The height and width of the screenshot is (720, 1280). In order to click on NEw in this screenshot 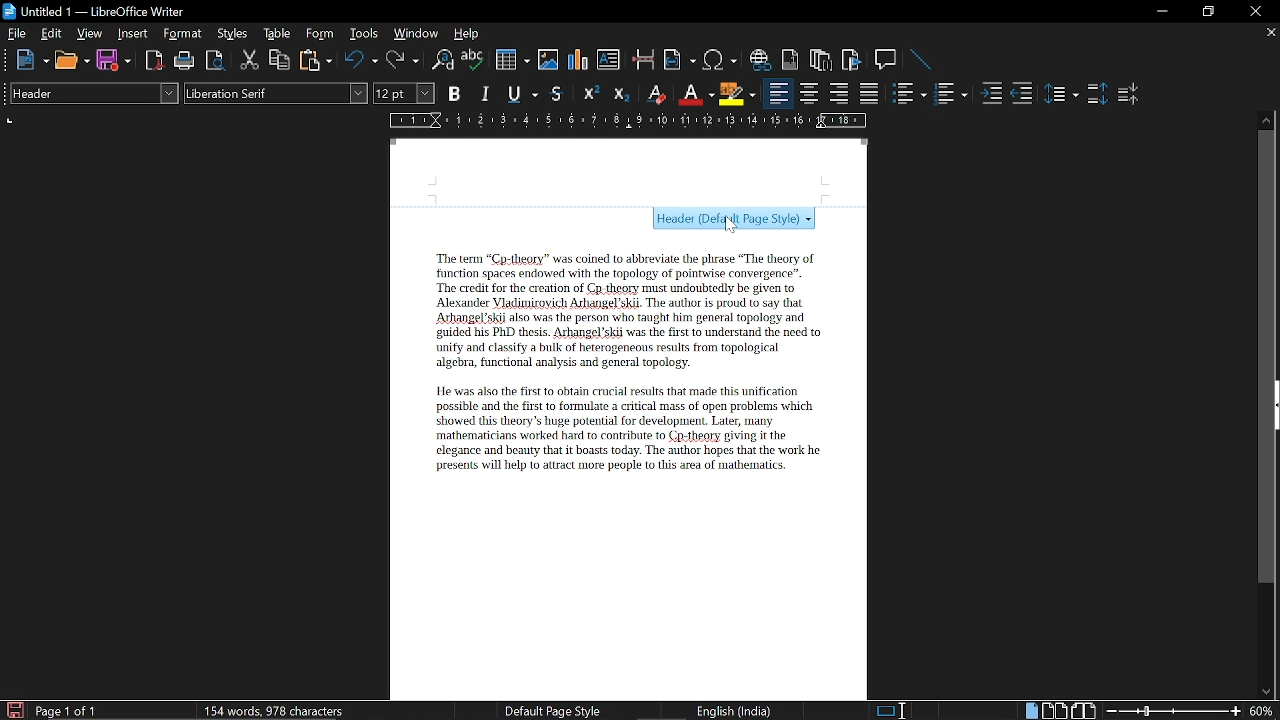, I will do `click(31, 60)`.